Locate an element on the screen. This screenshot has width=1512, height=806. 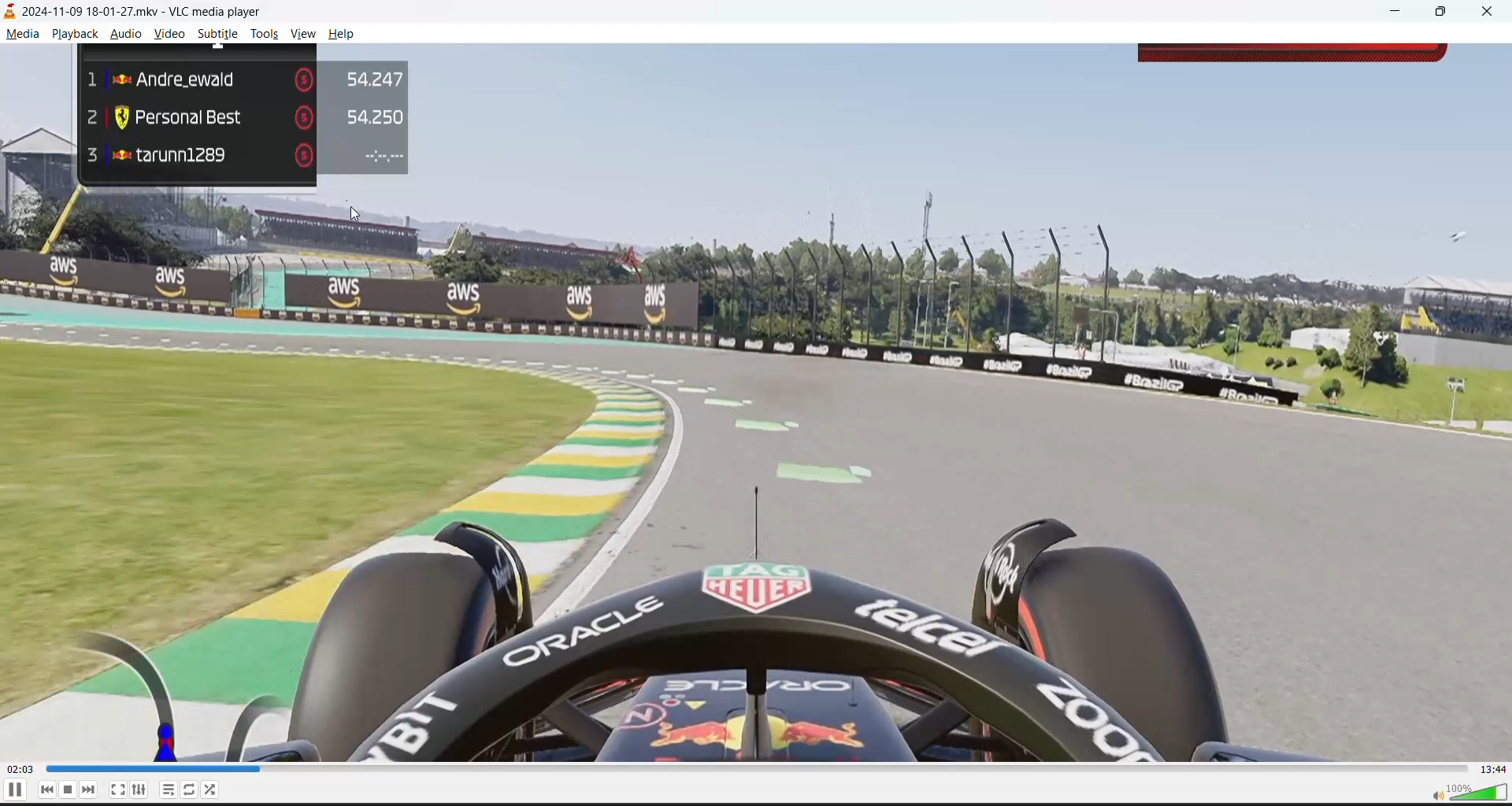
settings is located at coordinates (138, 789).